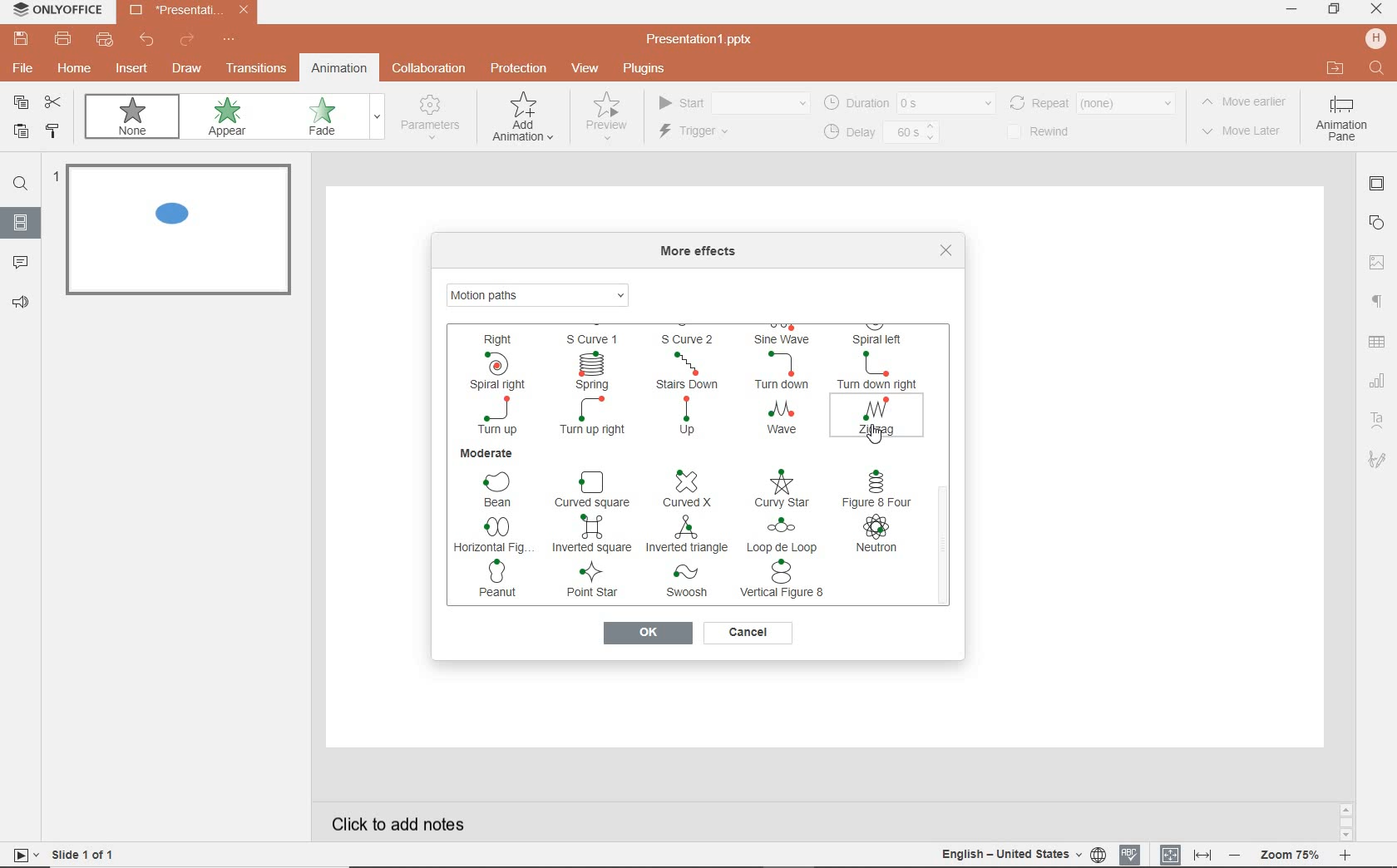 This screenshot has width=1397, height=868. Describe the element at coordinates (1375, 9) in the screenshot. I see `CLOSE` at that location.